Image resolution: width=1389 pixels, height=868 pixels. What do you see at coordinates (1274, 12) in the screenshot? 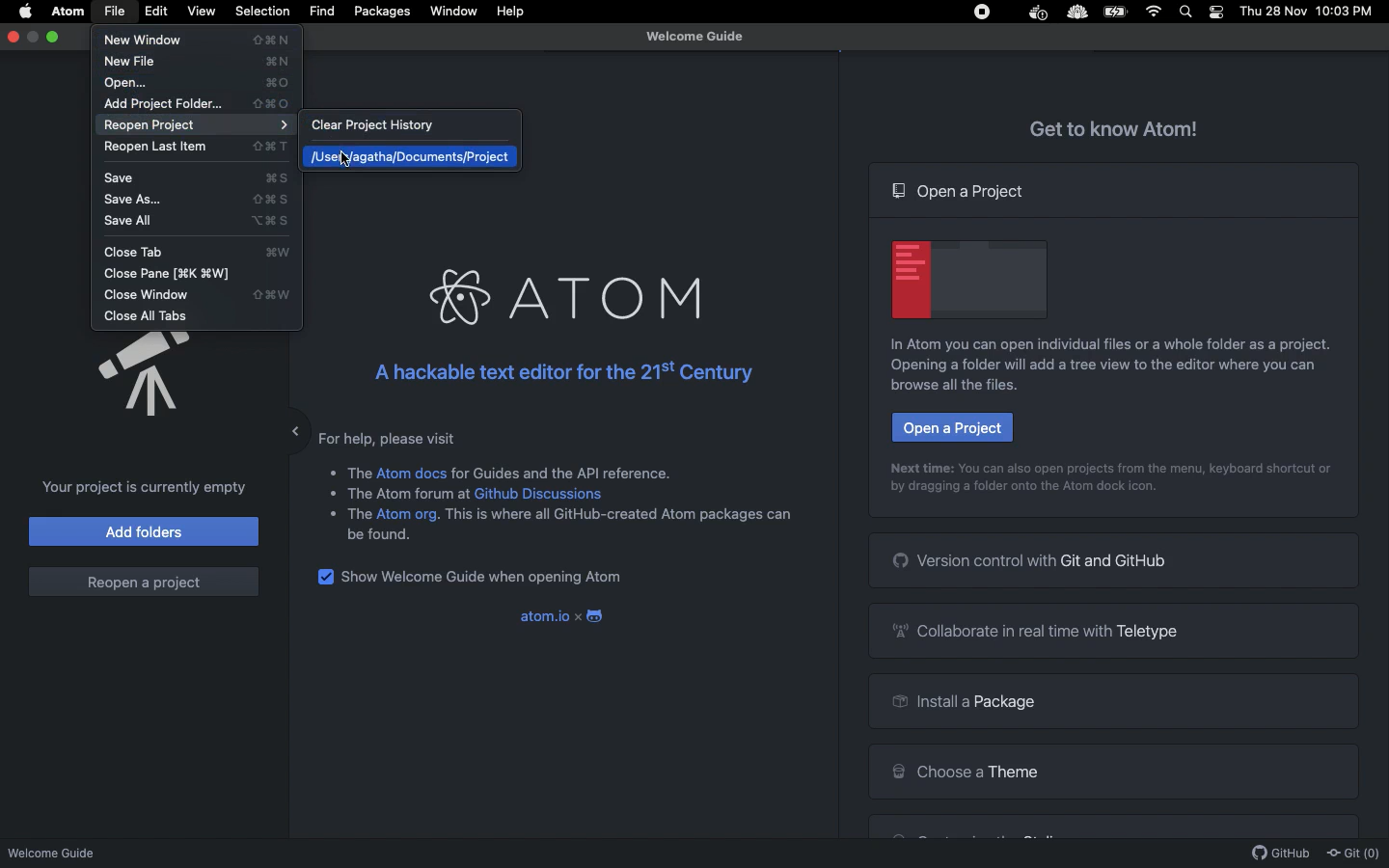
I see `Date` at bounding box center [1274, 12].